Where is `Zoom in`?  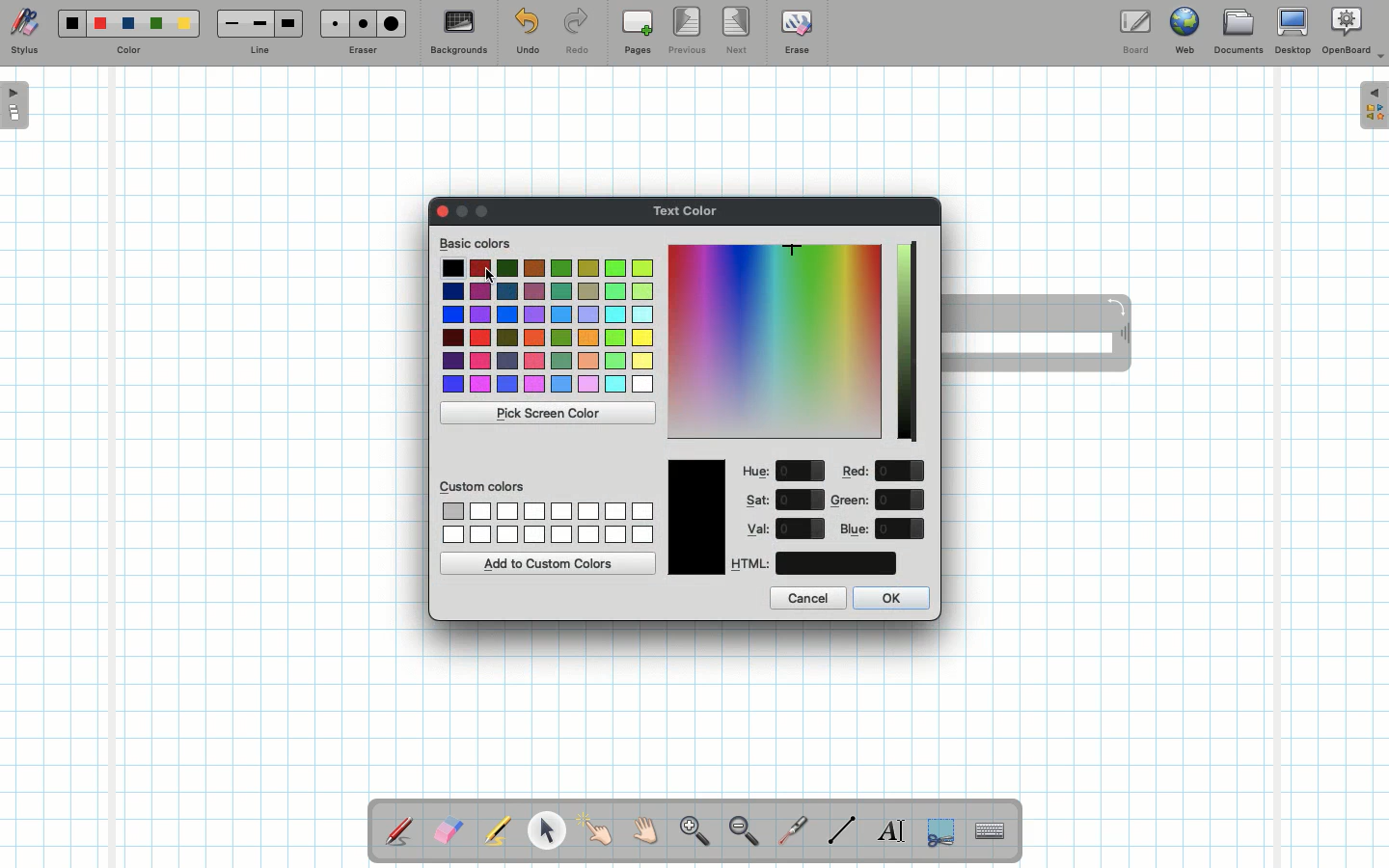
Zoom in is located at coordinates (690, 833).